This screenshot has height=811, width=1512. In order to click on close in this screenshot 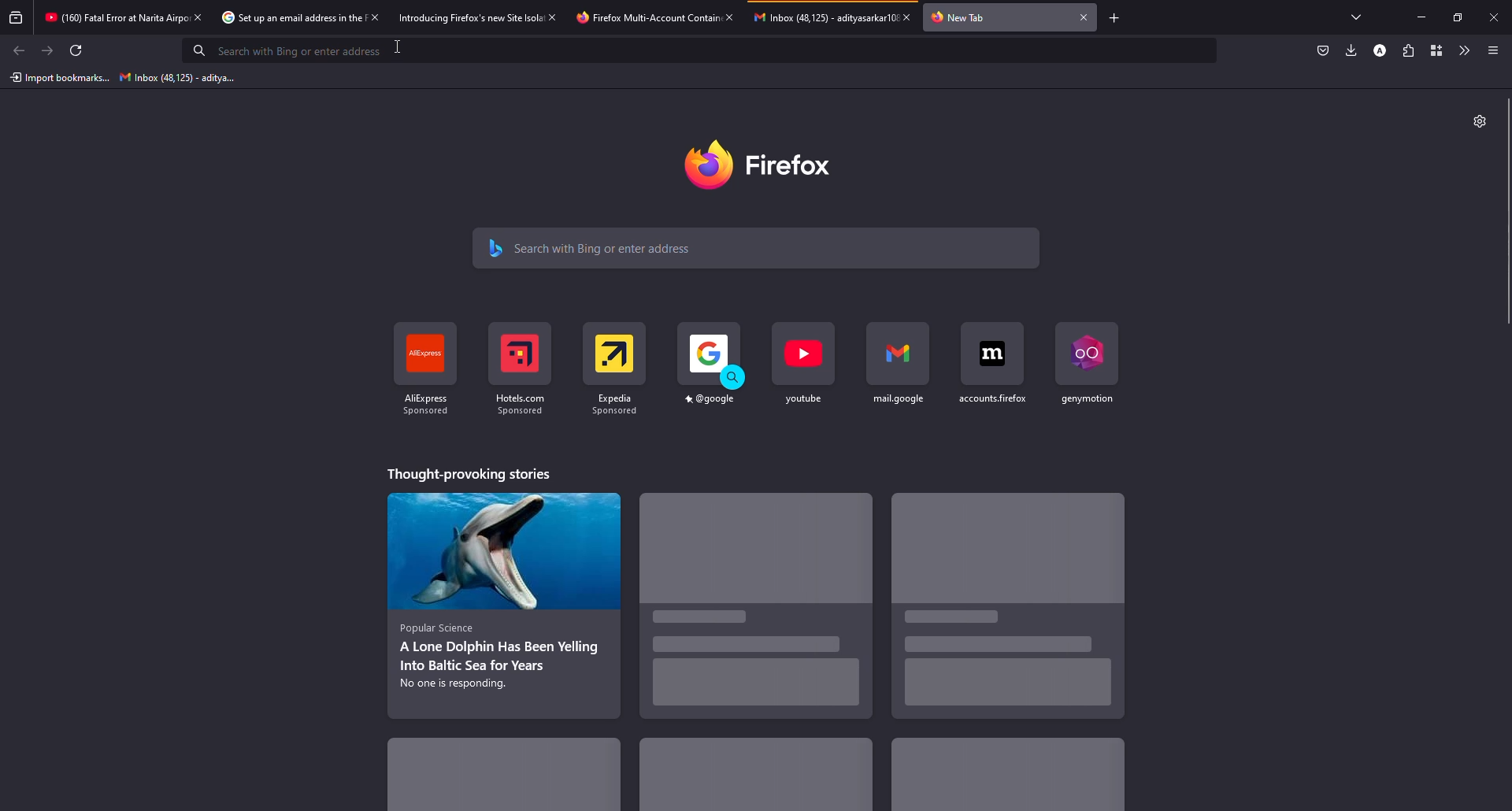, I will do `click(1084, 17)`.